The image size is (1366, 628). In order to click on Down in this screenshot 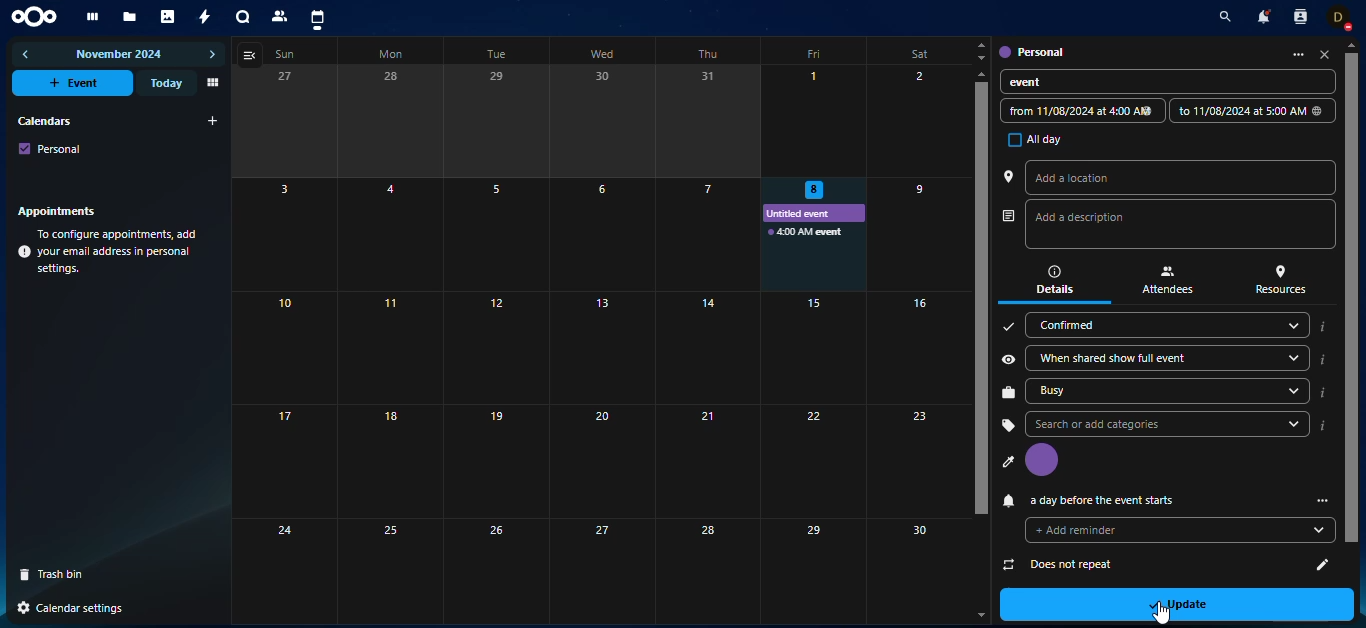, I will do `click(980, 58)`.